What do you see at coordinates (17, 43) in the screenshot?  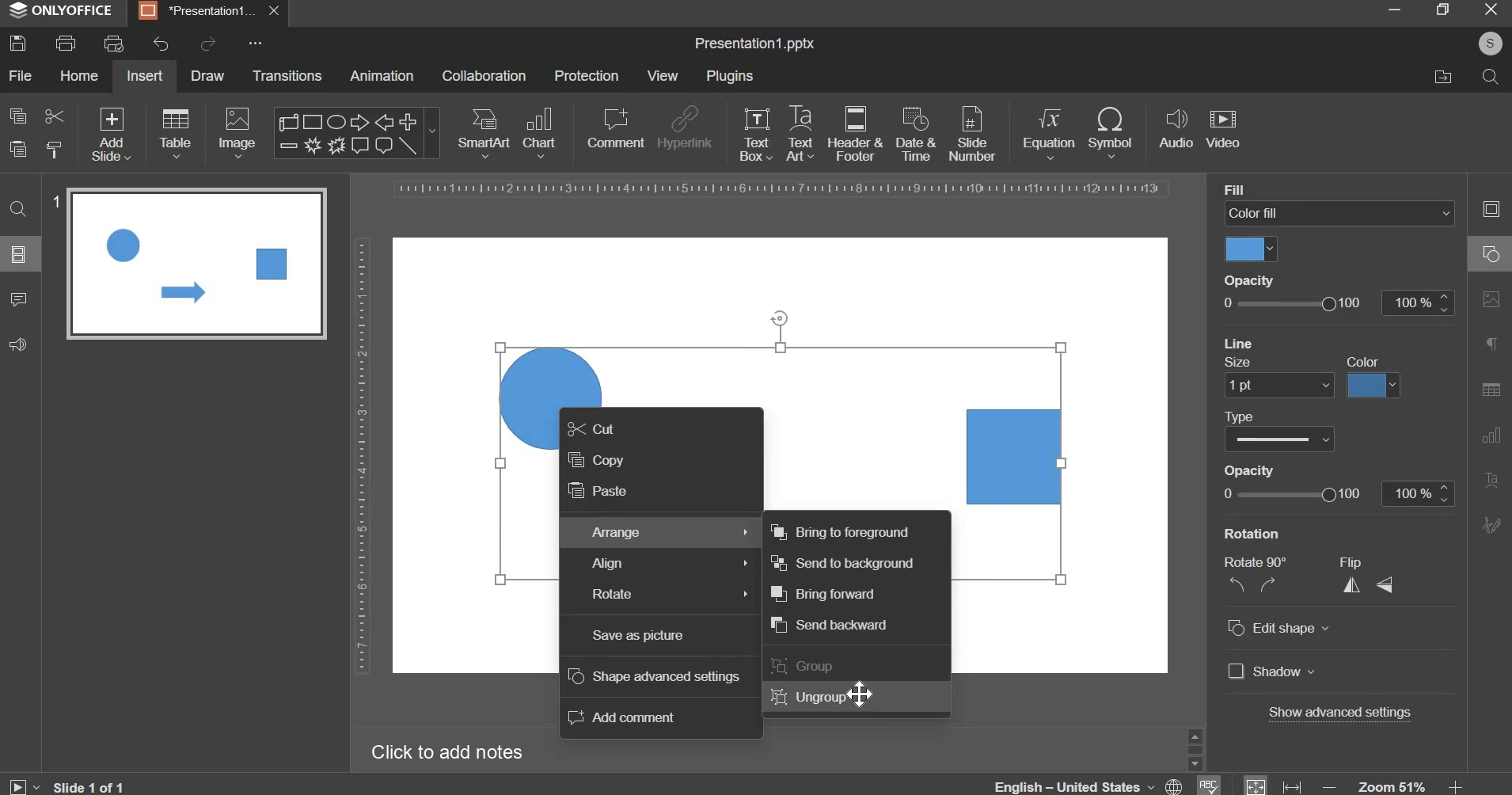 I see `save` at bounding box center [17, 43].